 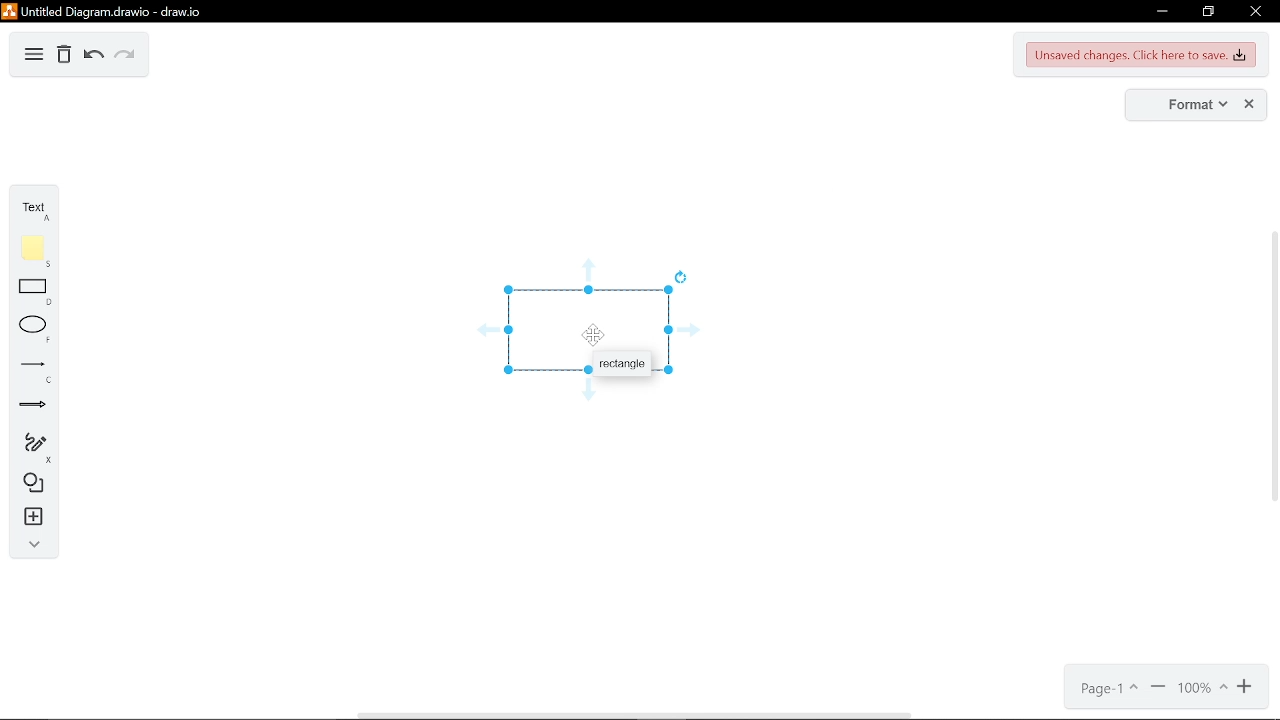 What do you see at coordinates (64, 57) in the screenshot?
I see `delete` at bounding box center [64, 57].